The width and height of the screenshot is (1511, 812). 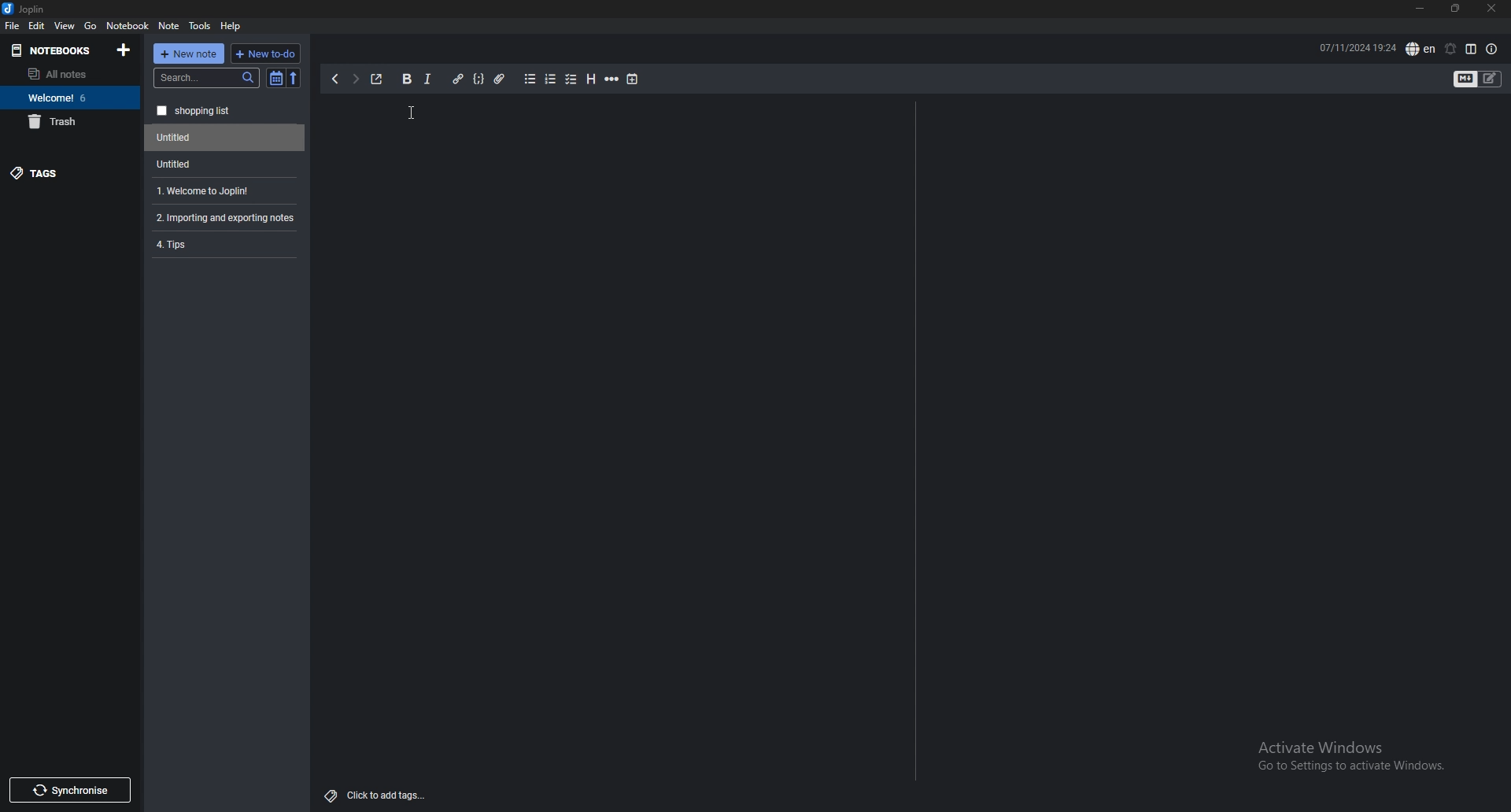 I want to click on add notebooks, so click(x=124, y=49).